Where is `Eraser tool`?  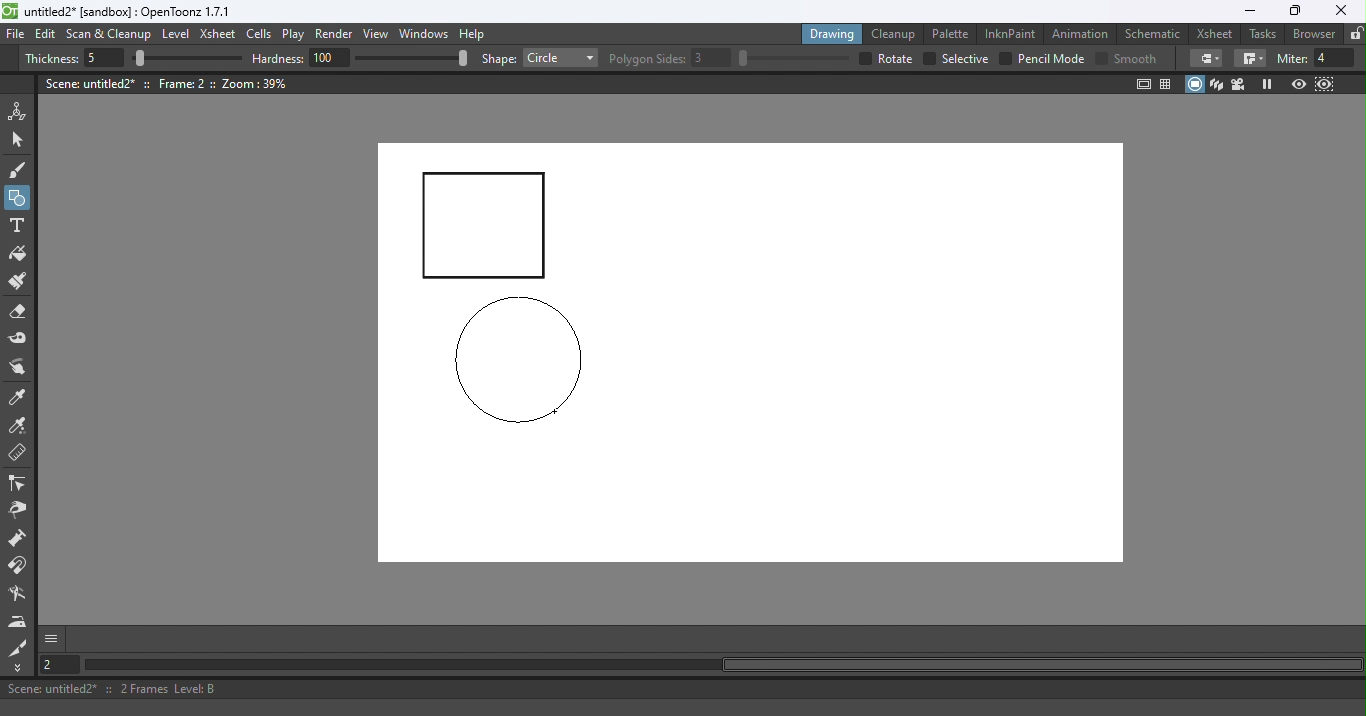
Eraser tool is located at coordinates (23, 312).